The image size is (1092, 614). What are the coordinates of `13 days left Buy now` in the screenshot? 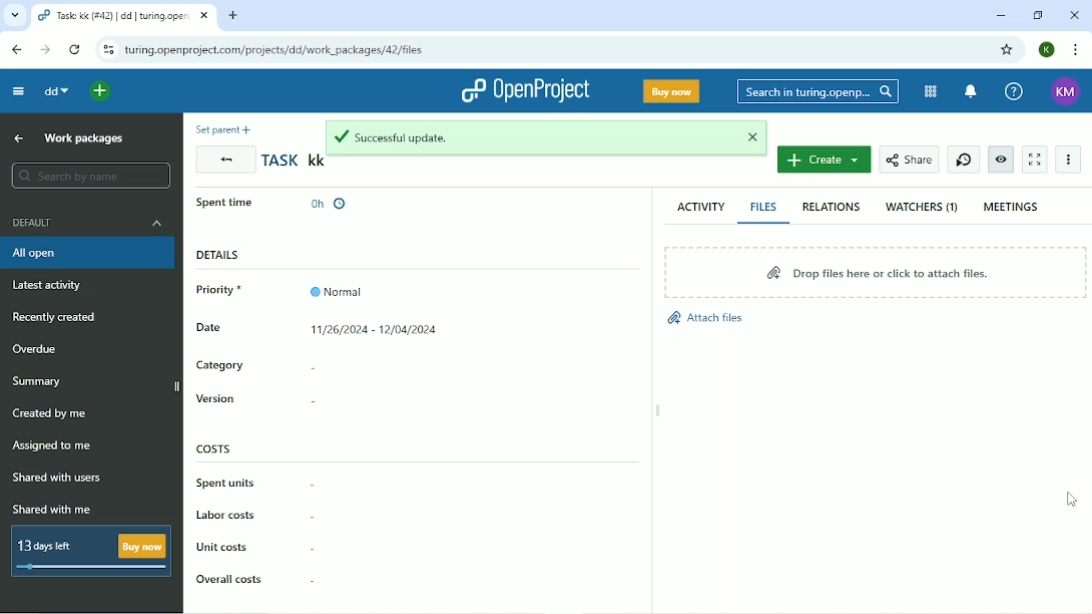 It's located at (89, 553).